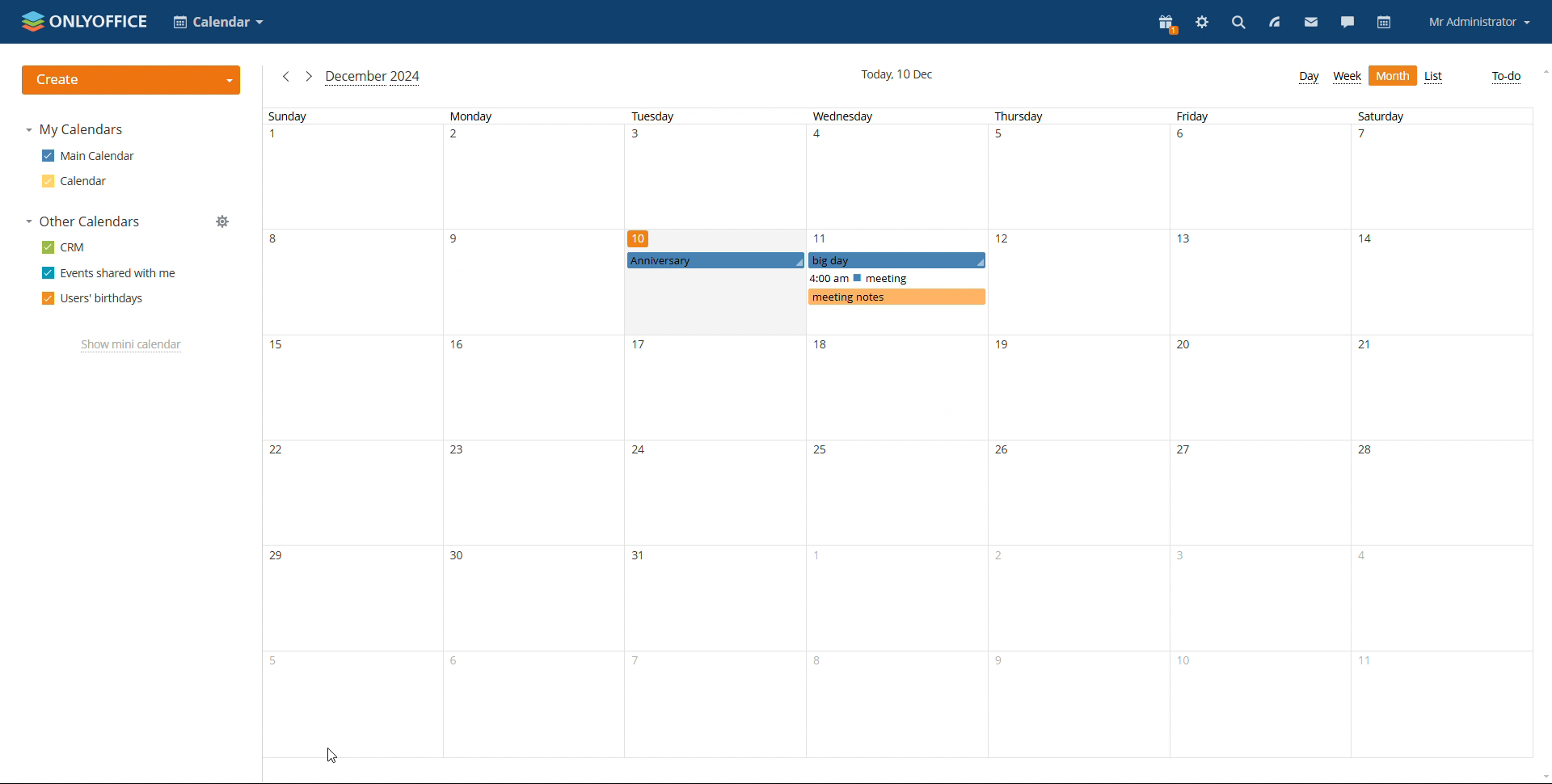 The width and height of the screenshot is (1552, 784). Describe the element at coordinates (135, 78) in the screenshot. I see `create` at that location.